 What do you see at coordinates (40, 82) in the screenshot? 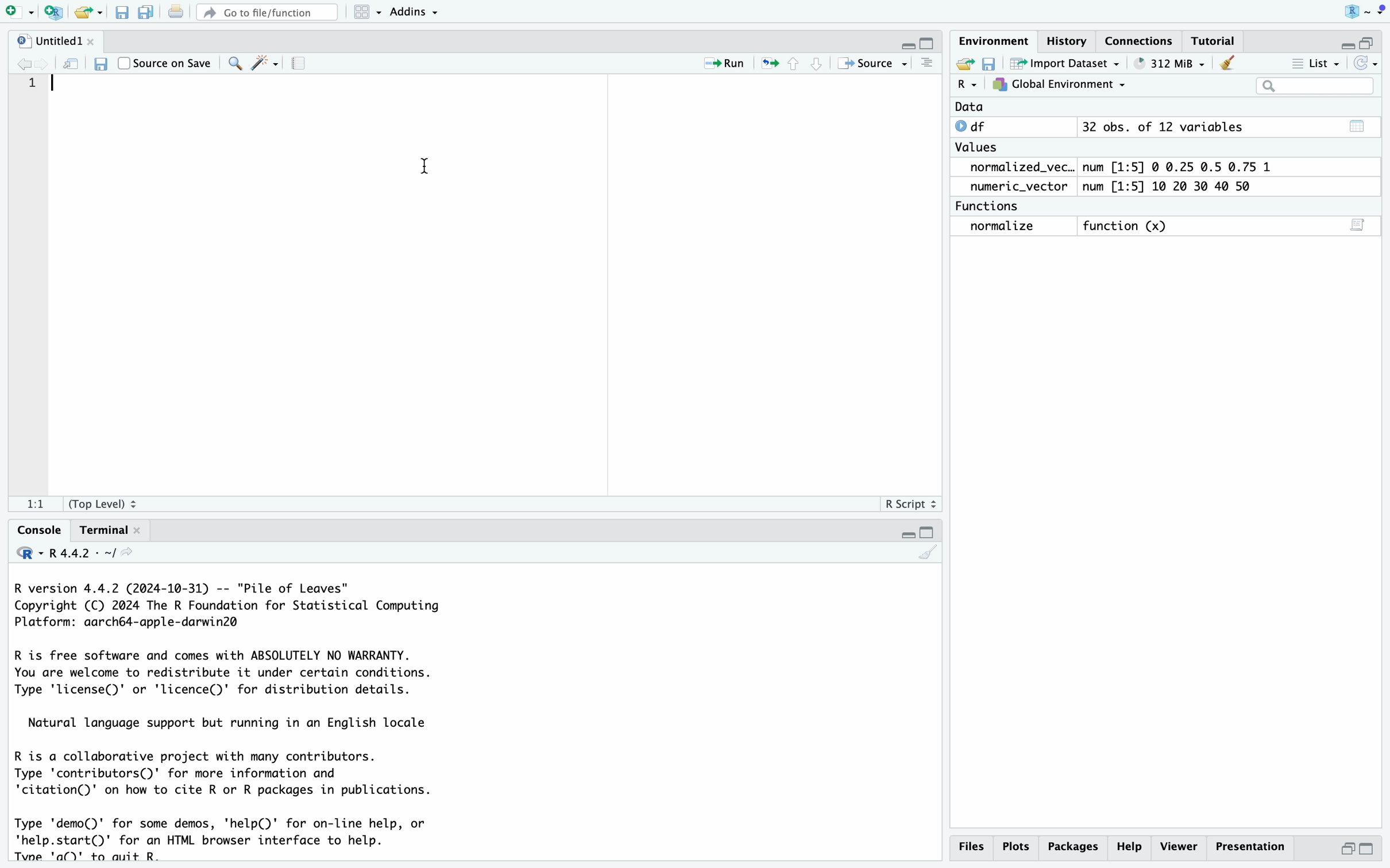
I see `1` at bounding box center [40, 82].